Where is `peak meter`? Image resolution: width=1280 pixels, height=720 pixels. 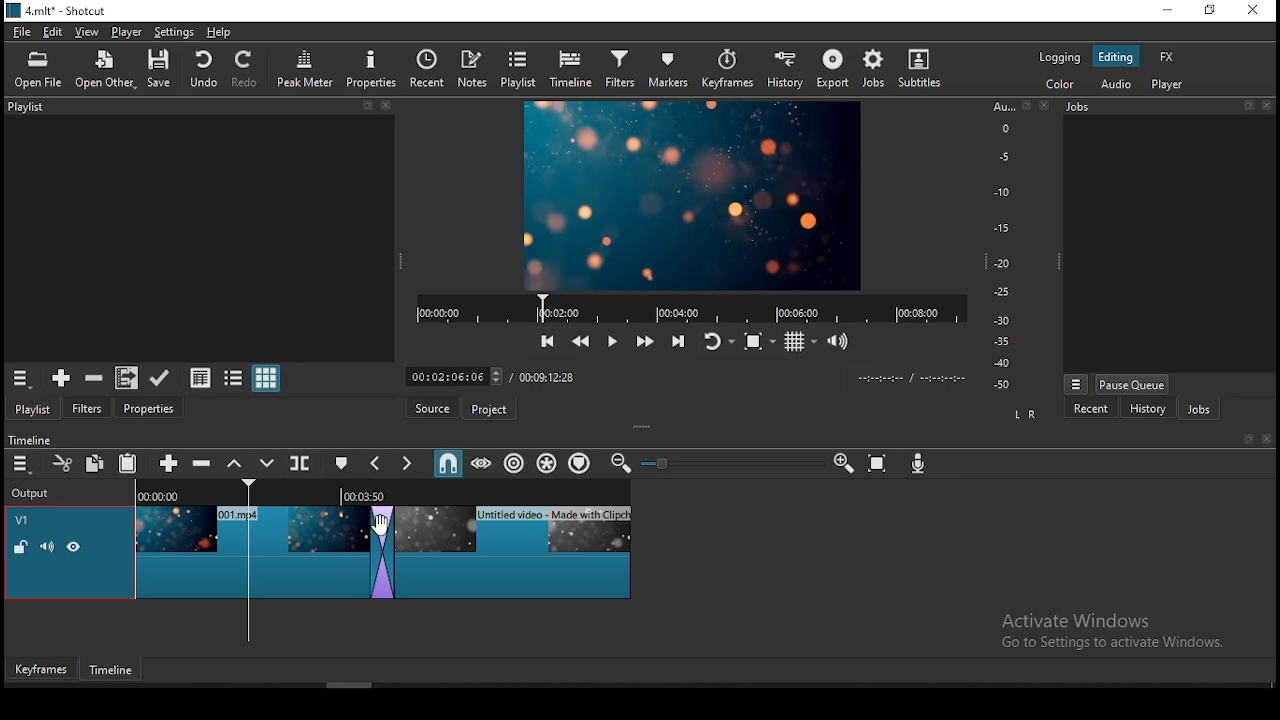
peak meter is located at coordinates (307, 68).